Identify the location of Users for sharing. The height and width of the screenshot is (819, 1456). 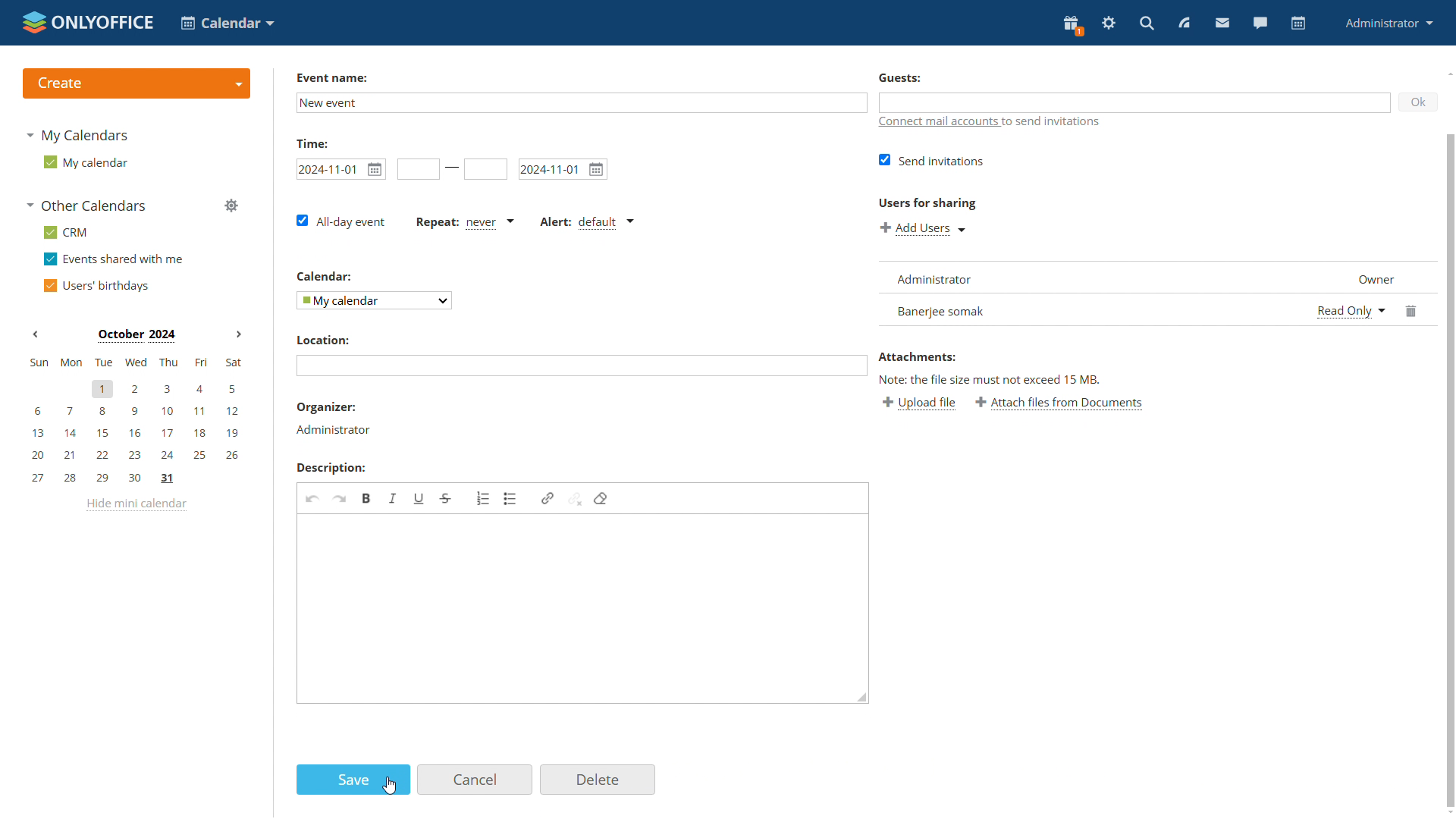
(930, 204).